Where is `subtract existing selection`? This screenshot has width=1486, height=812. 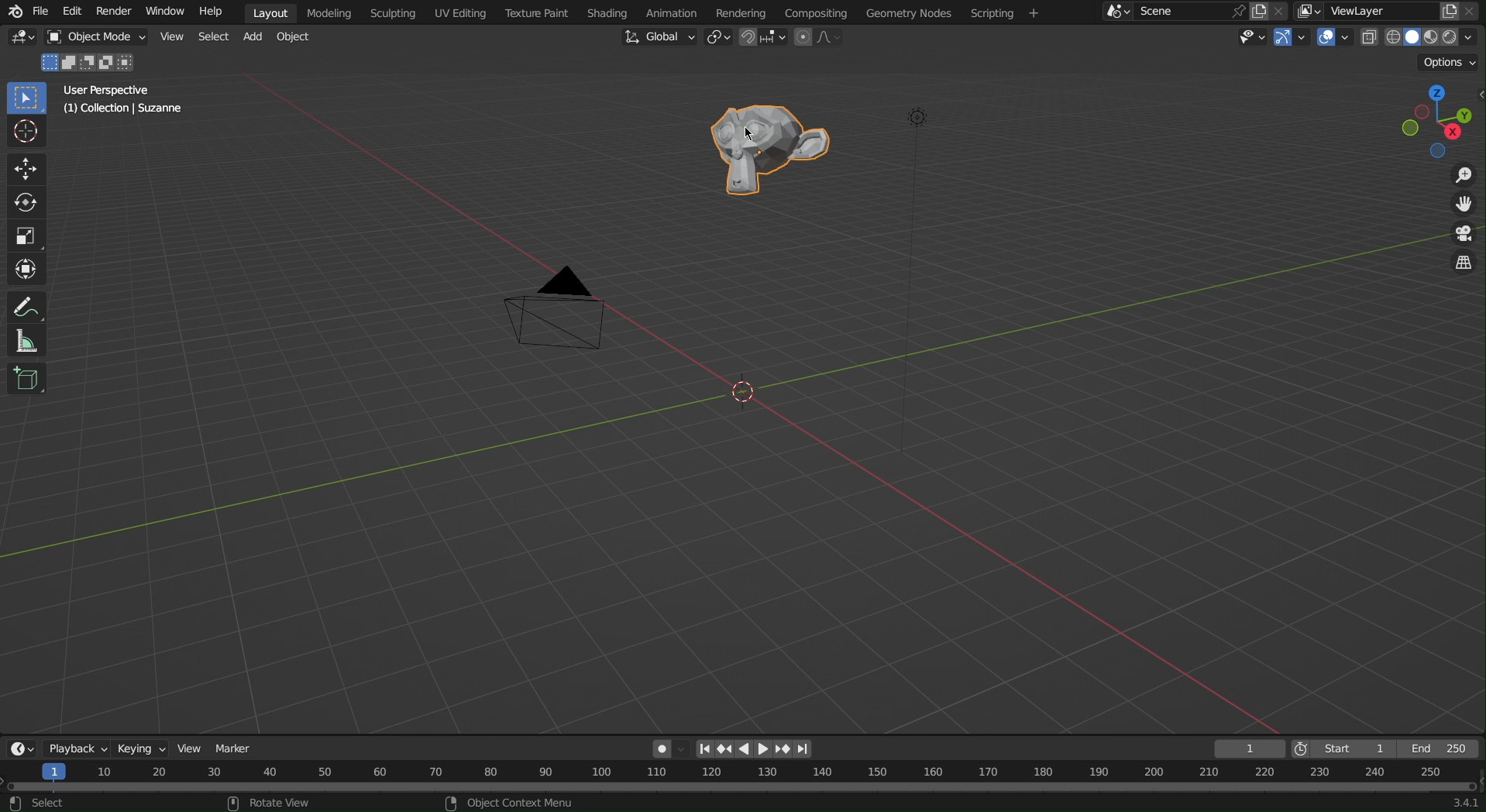 subtract existing selection is located at coordinates (90, 65).